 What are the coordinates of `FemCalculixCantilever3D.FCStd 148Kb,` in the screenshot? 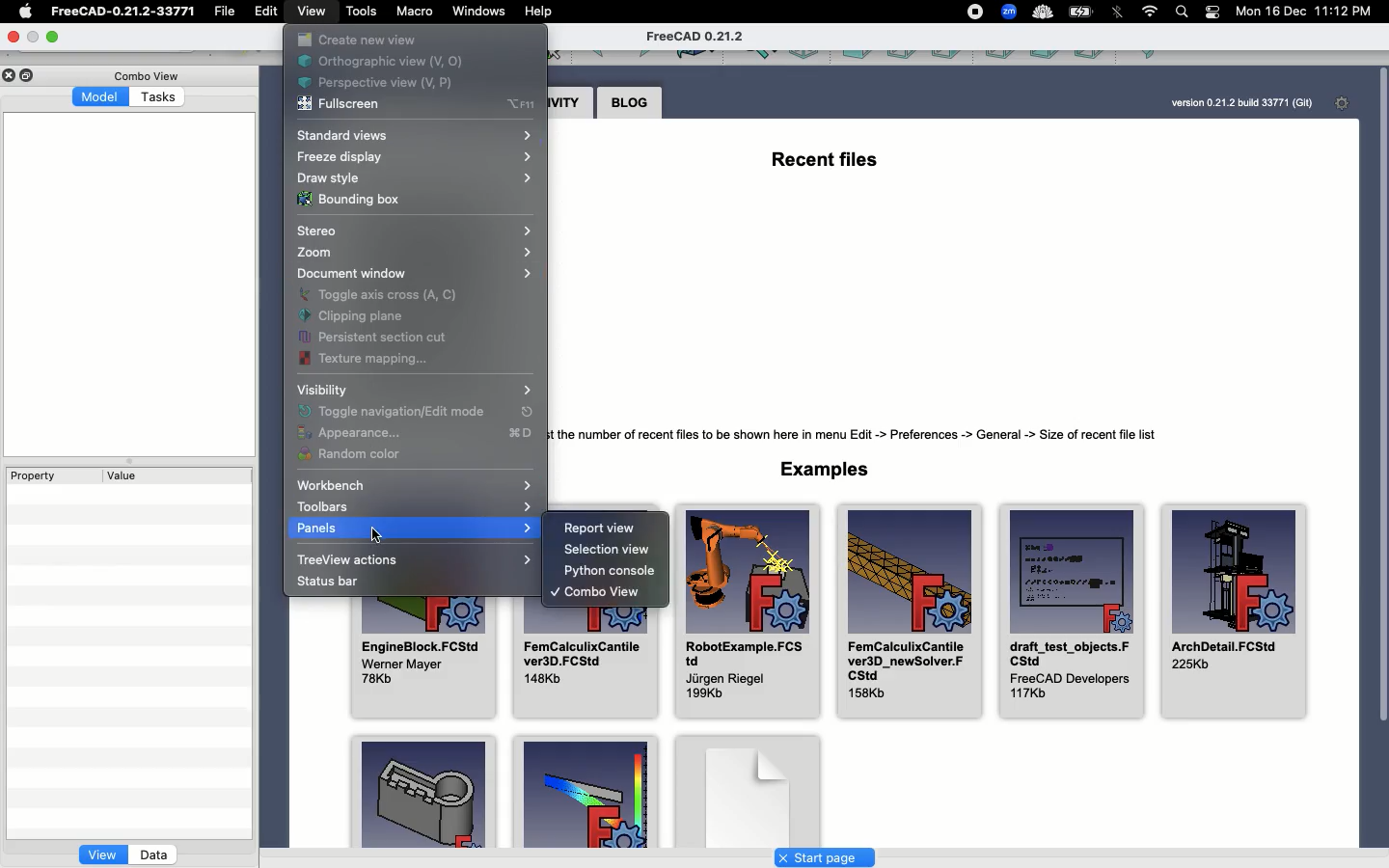 It's located at (587, 664).